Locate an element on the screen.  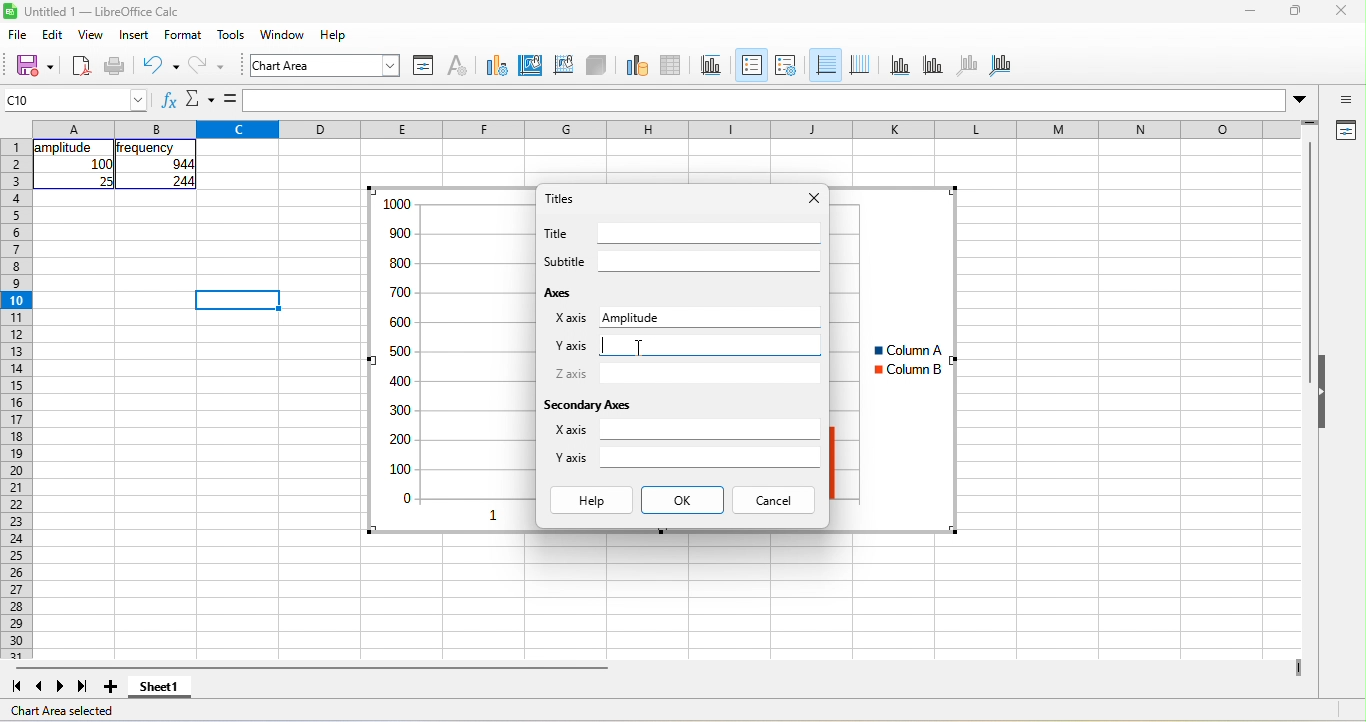
format is located at coordinates (183, 34).